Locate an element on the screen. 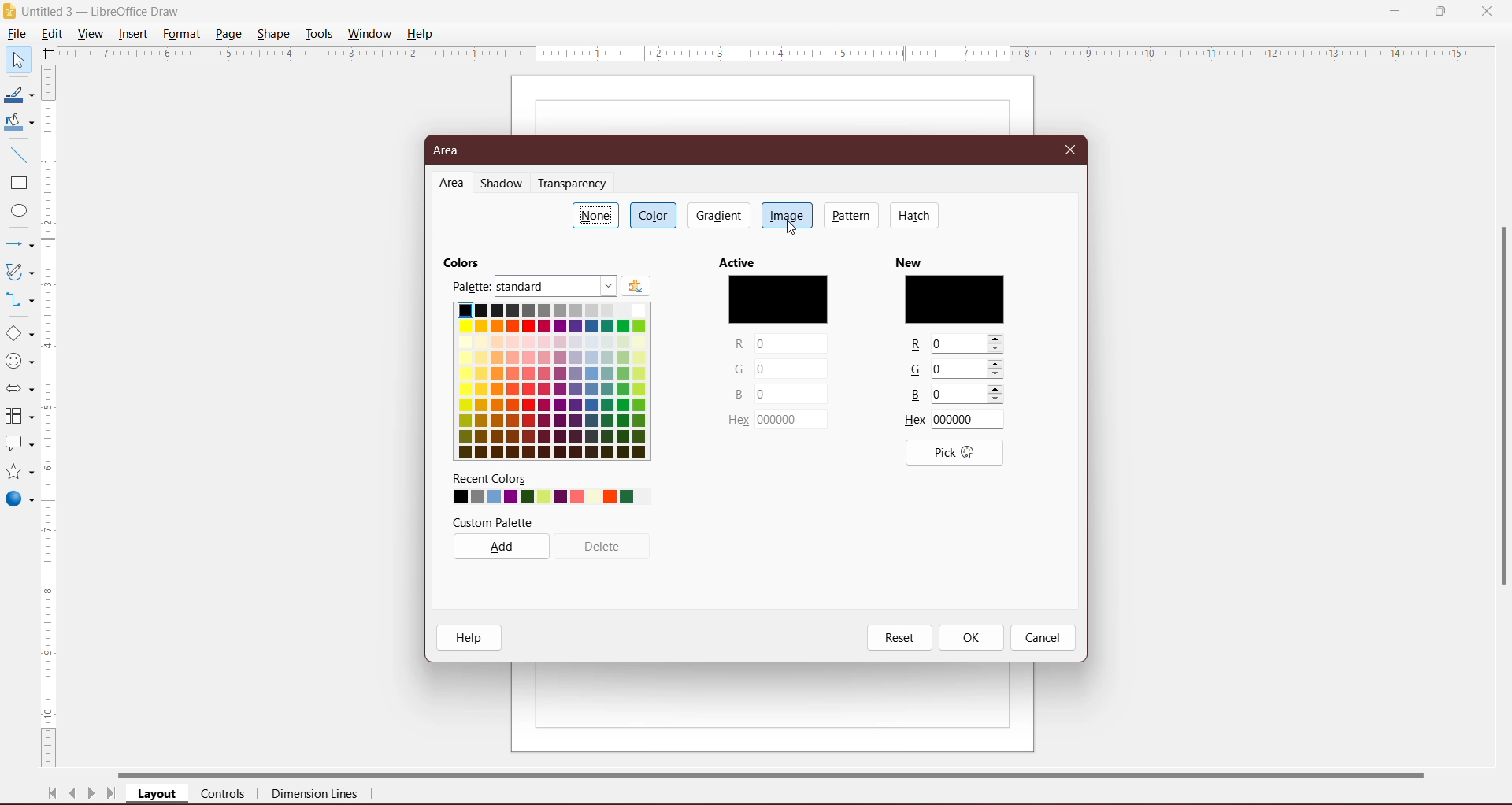  Scroll to next page is located at coordinates (91, 796).